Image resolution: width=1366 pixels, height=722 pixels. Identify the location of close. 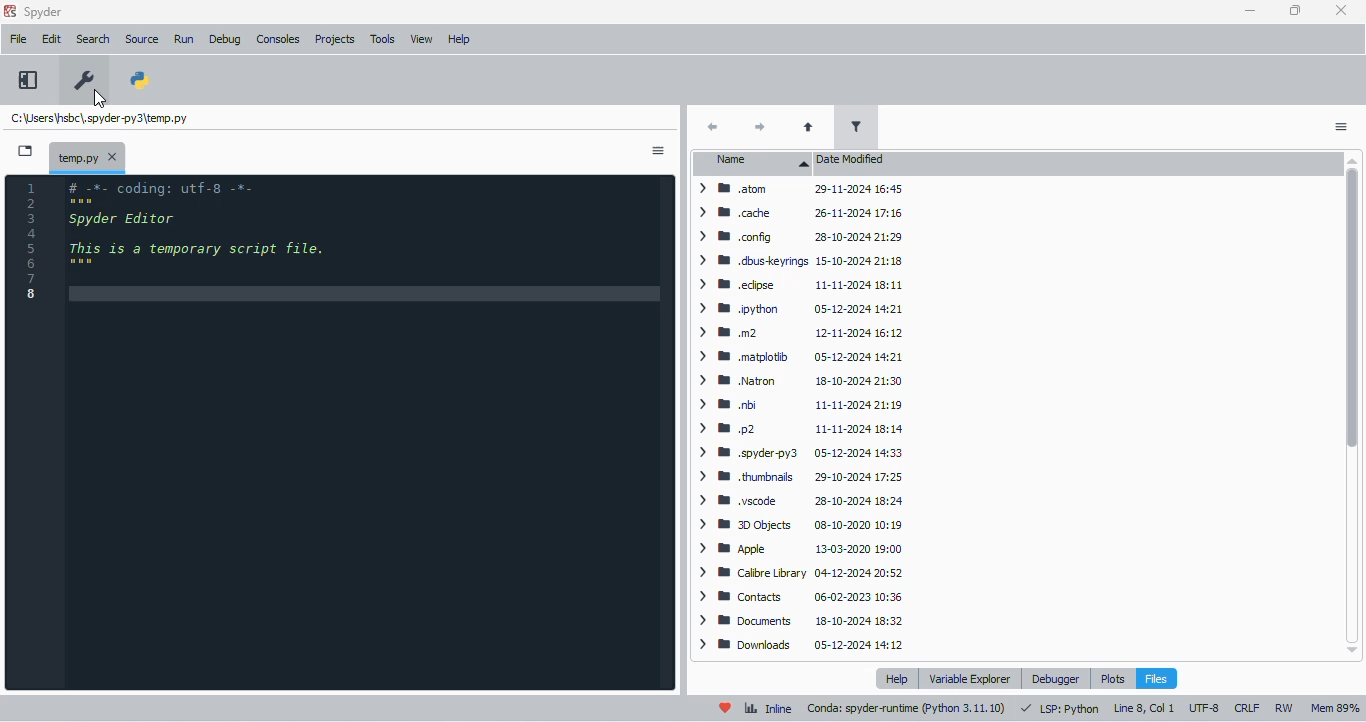
(1342, 10).